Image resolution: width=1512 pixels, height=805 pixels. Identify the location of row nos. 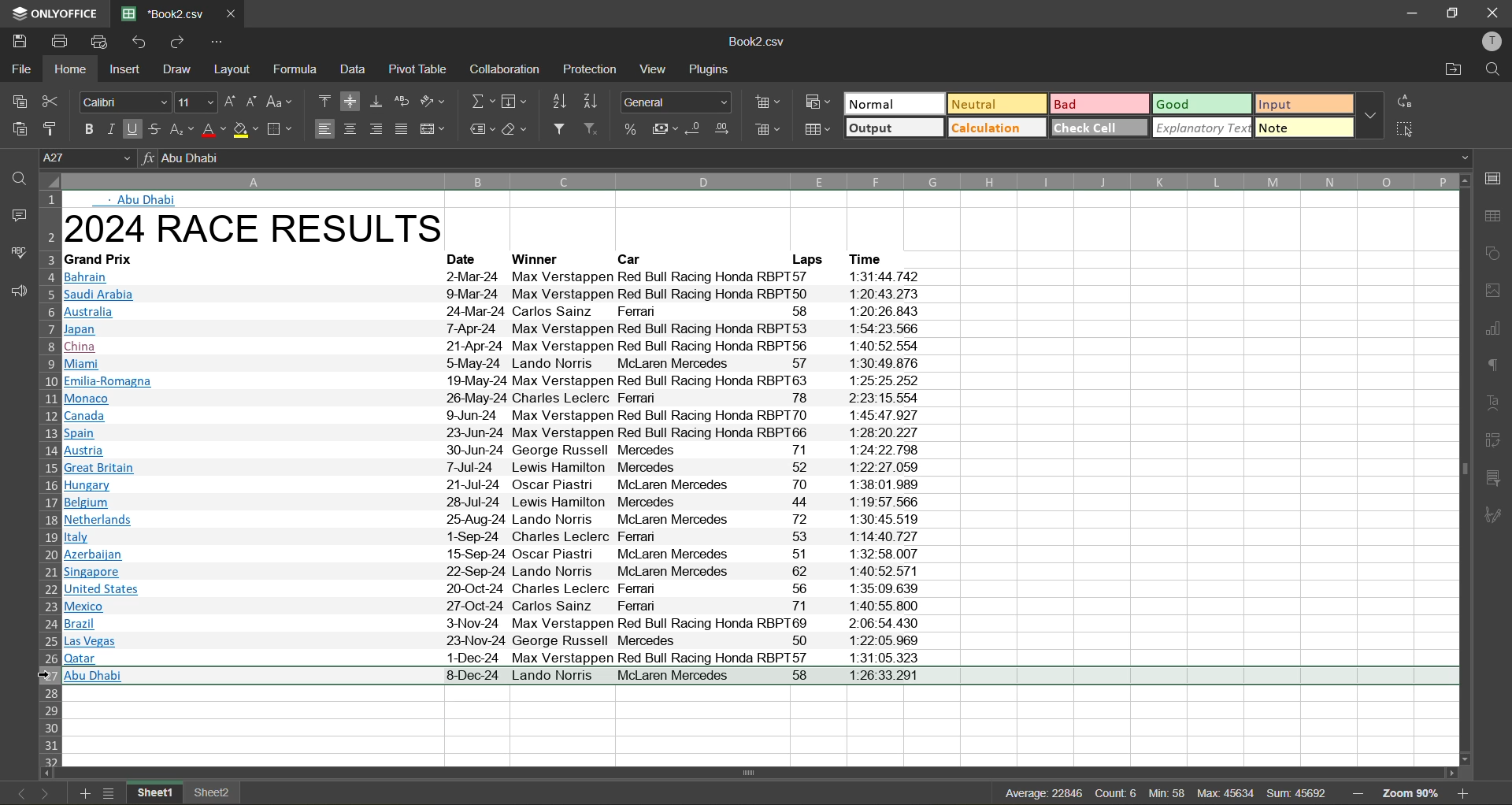
(48, 477).